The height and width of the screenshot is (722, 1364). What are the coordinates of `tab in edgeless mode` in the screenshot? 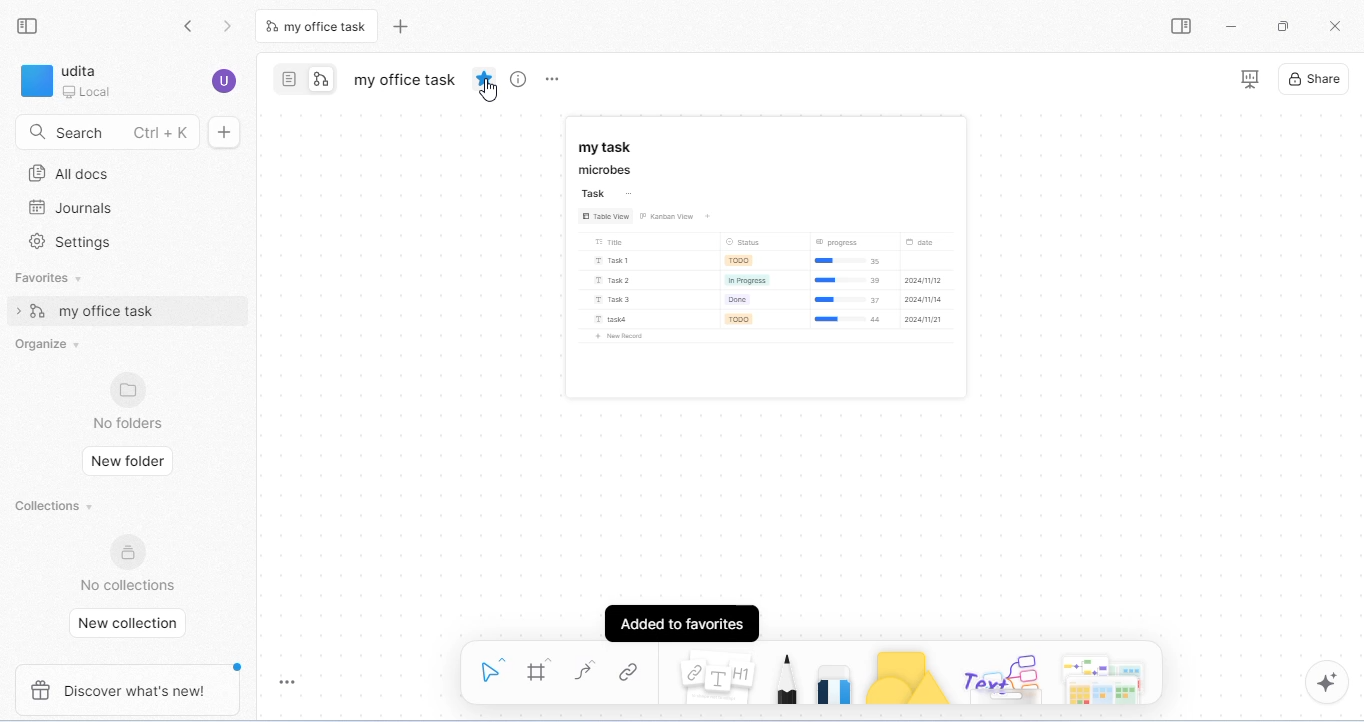 It's located at (320, 26).